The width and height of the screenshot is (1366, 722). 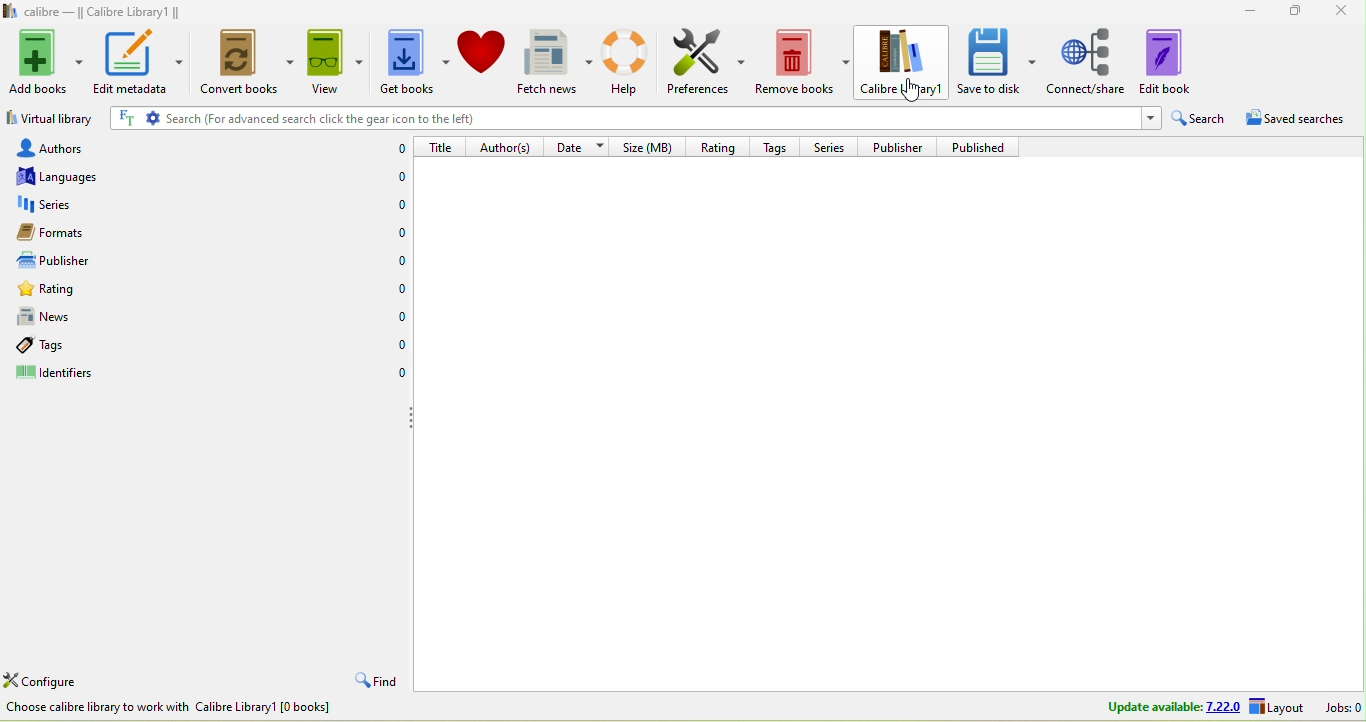 I want to click on hide, so click(x=410, y=419).